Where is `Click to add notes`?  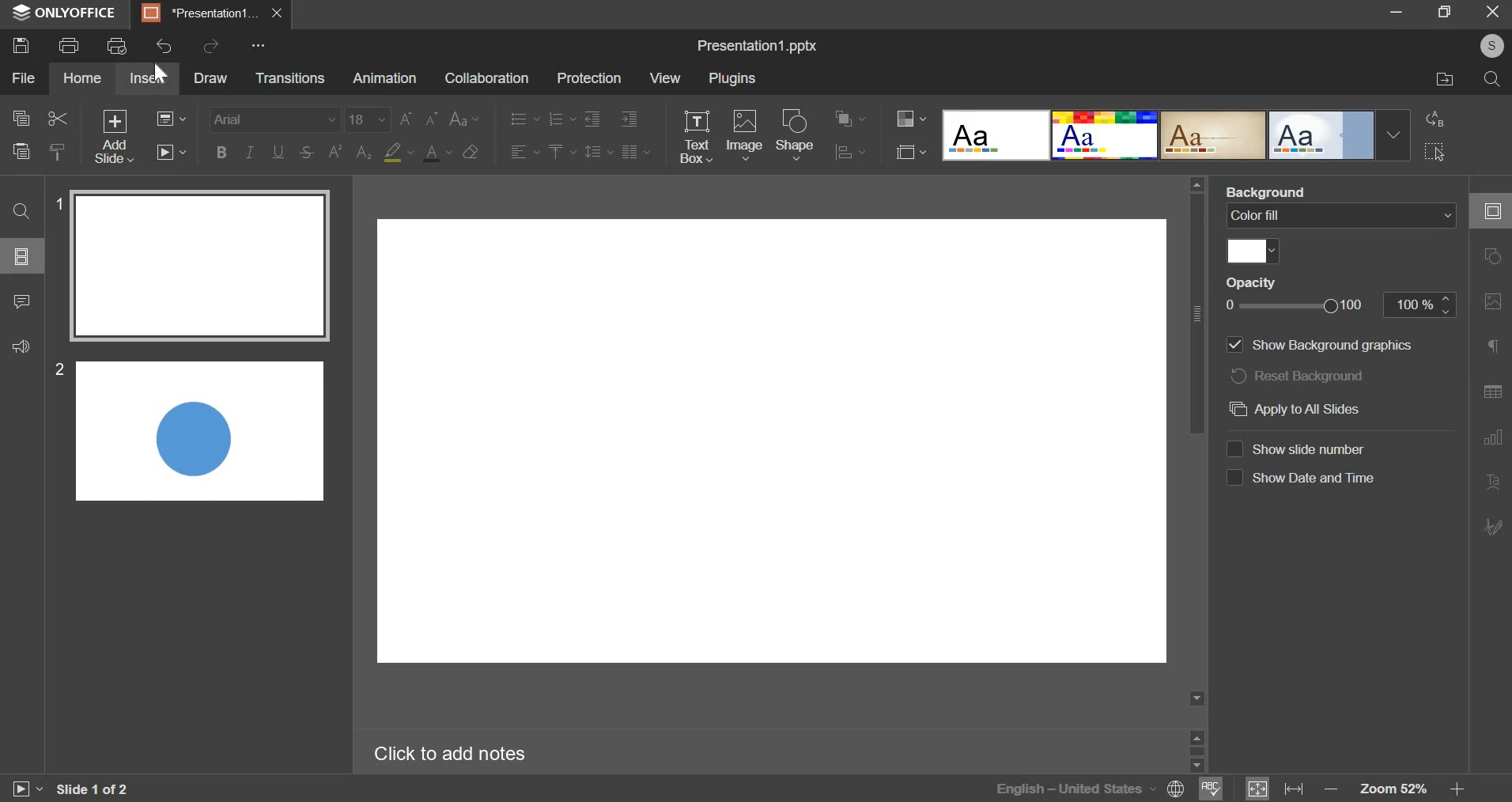 Click to add notes is located at coordinates (452, 752).